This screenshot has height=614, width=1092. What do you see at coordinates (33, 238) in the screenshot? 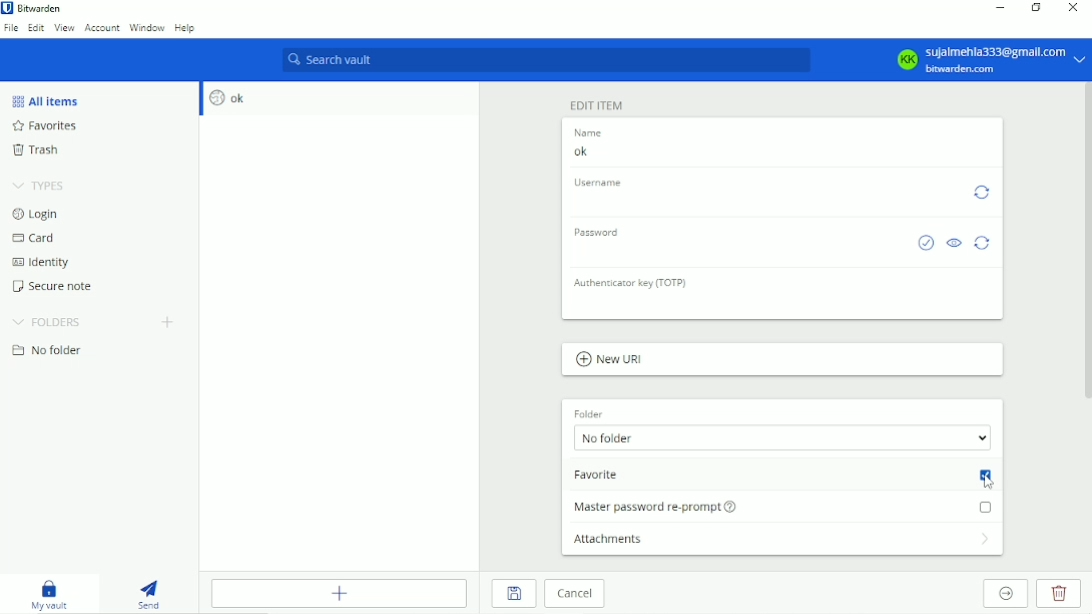
I see `Card` at bounding box center [33, 238].